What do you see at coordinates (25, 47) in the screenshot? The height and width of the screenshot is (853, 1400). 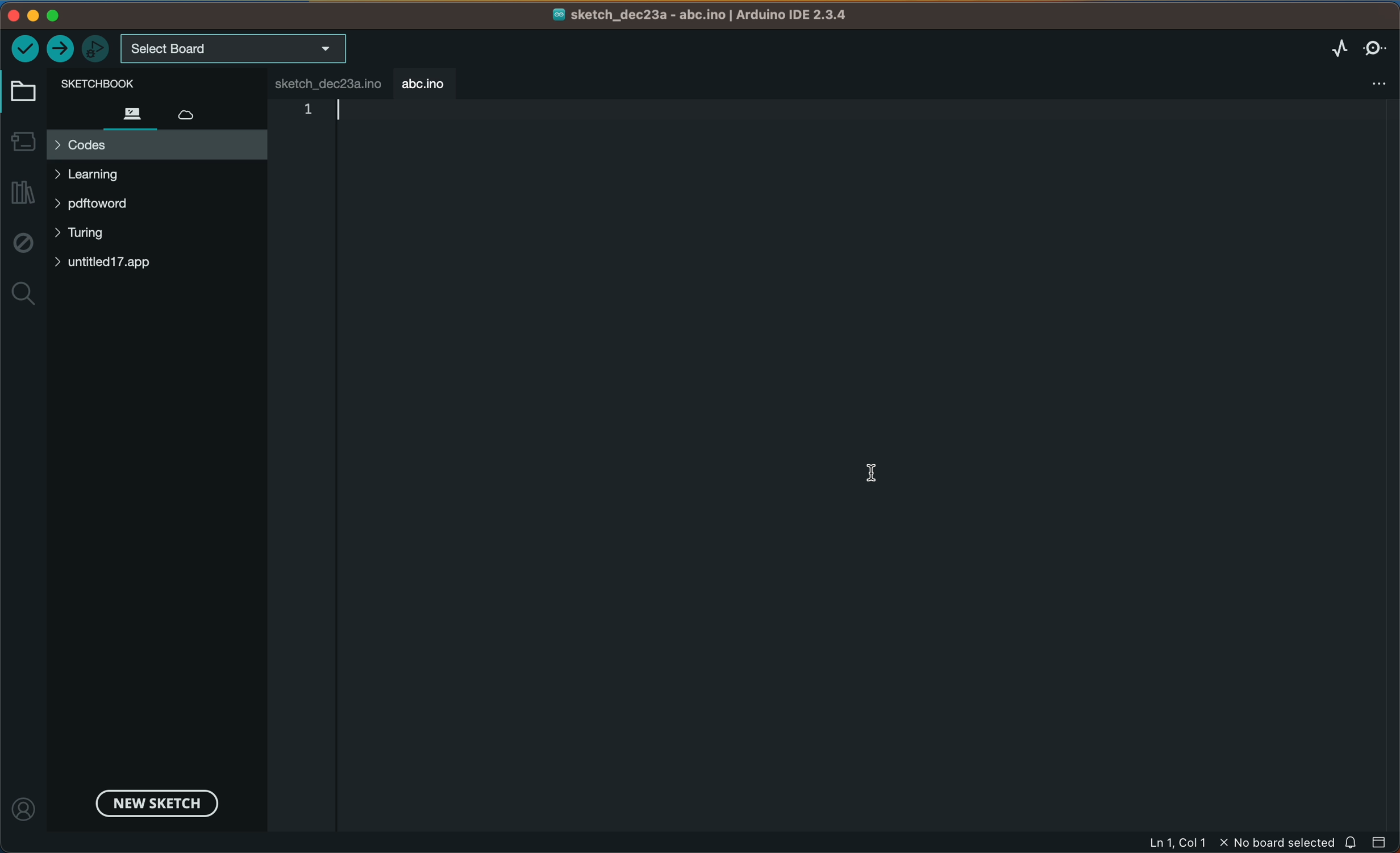 I see `verify` at bounding box center [25, 47].